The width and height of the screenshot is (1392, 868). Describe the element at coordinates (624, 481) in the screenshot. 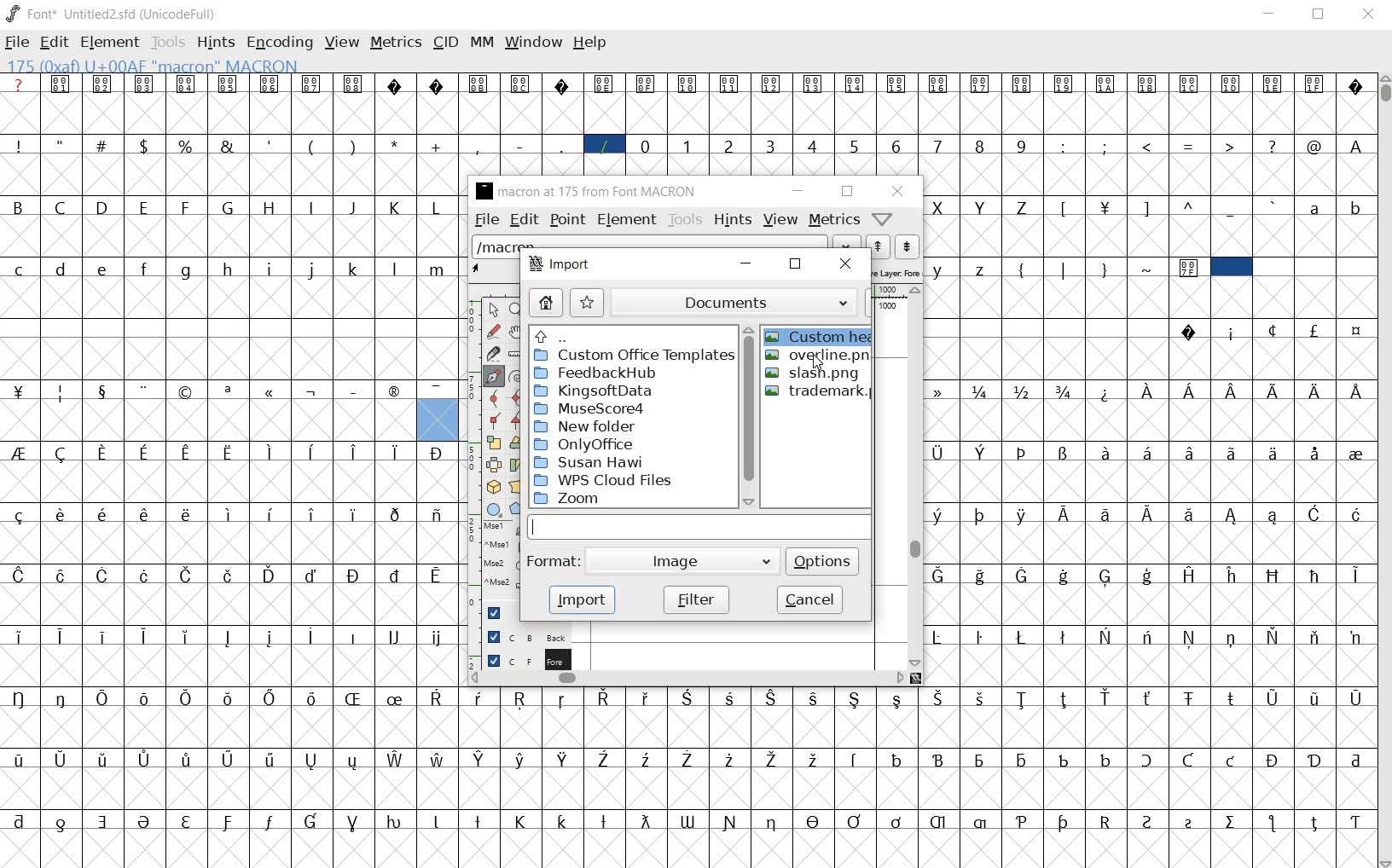

I see `WPS cloud files` at that location.